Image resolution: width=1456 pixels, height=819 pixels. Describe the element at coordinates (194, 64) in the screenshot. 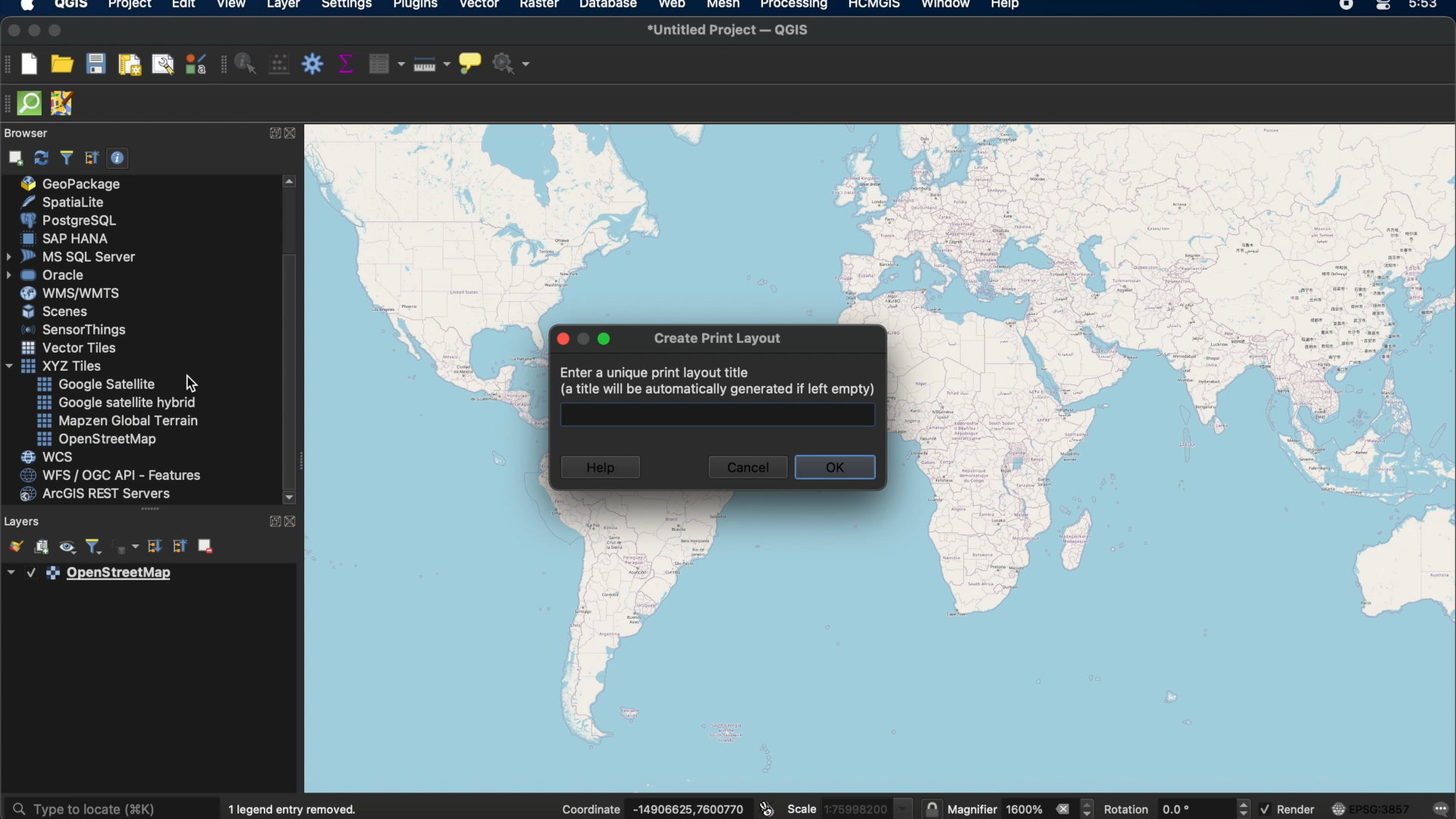

I see `style manager` at that location.